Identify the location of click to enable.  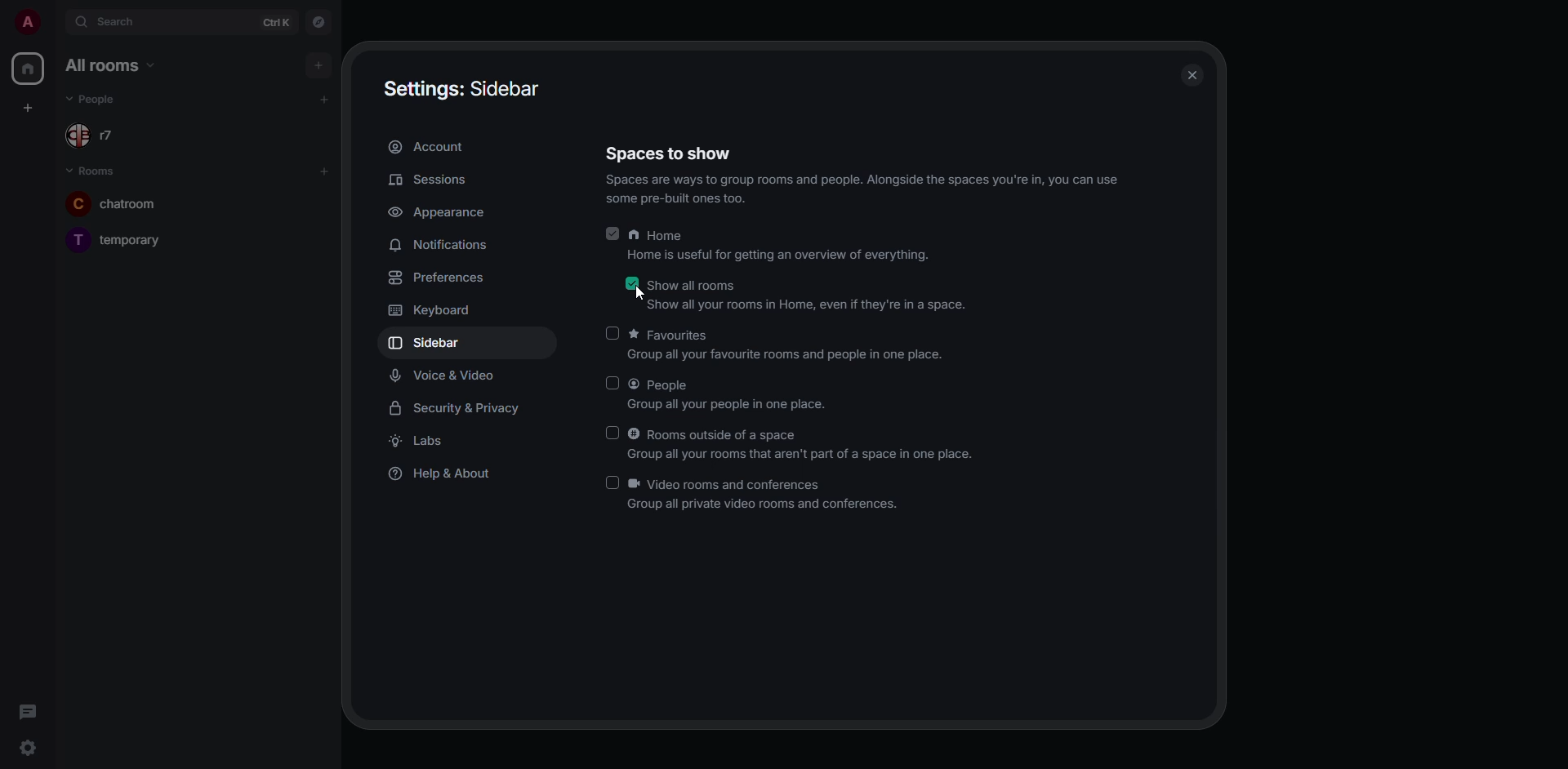
(611, 382).